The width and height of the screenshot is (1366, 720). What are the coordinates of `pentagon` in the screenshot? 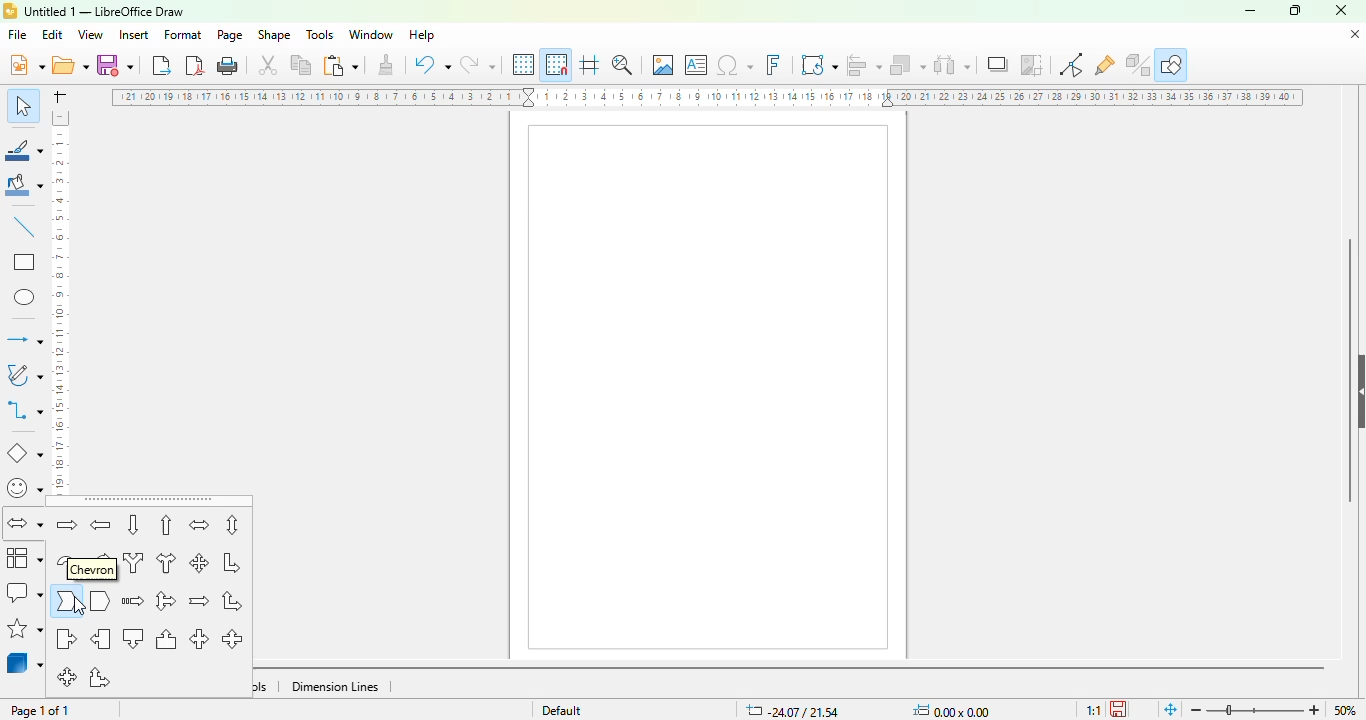 It's located at (103, 601).